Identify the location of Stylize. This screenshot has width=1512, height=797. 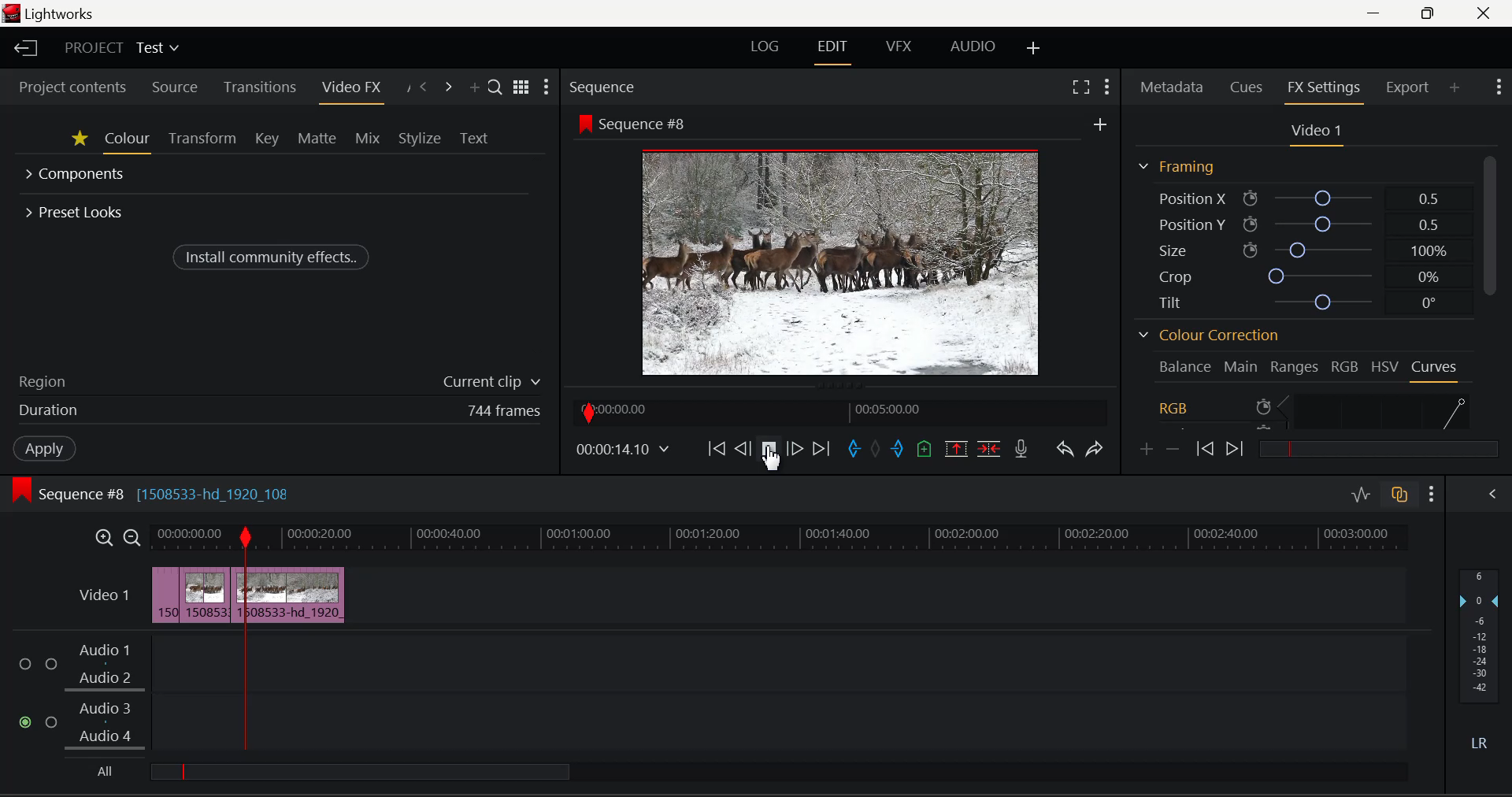
(419, 137).